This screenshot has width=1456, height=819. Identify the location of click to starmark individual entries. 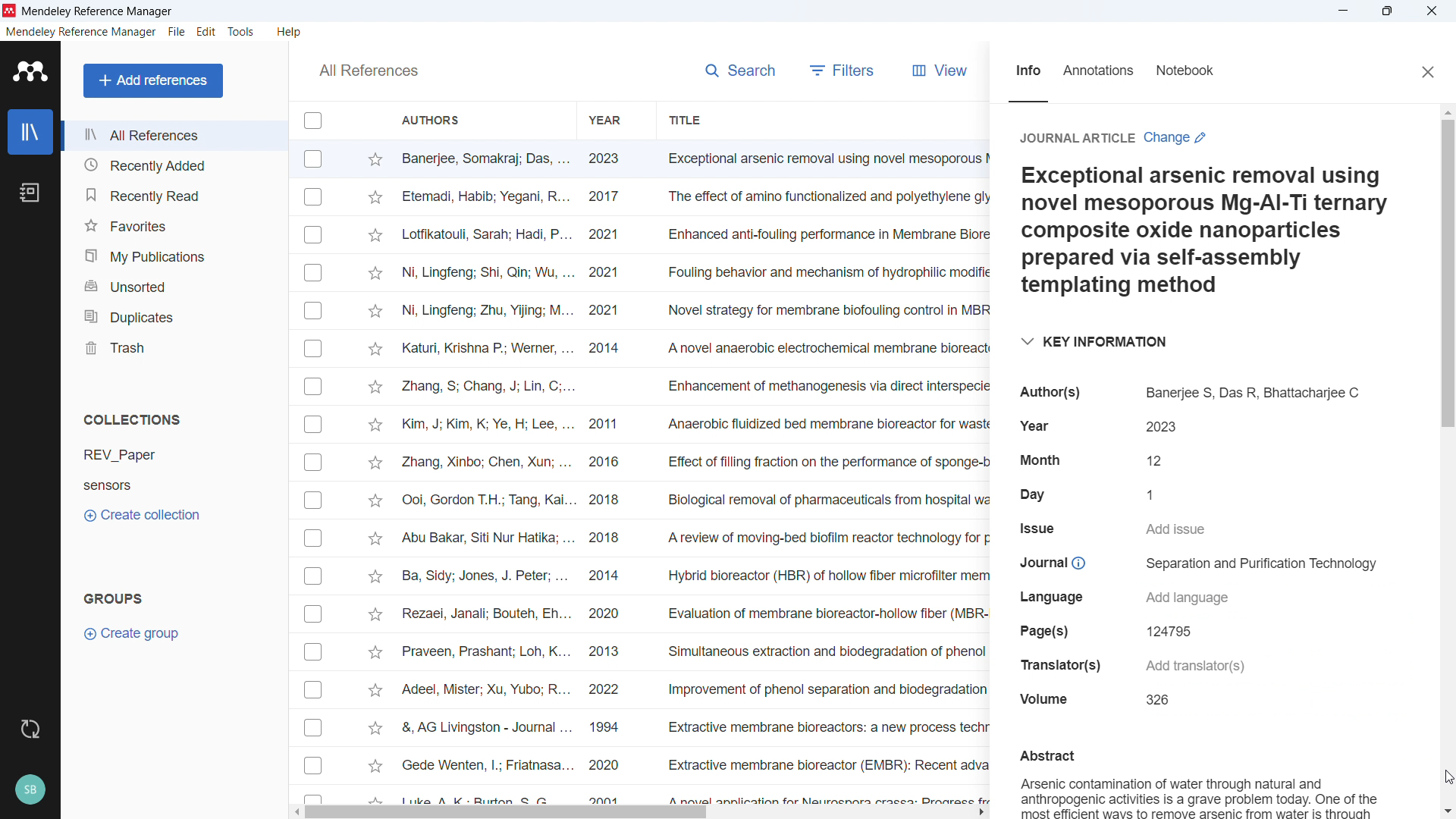
(378, 350).